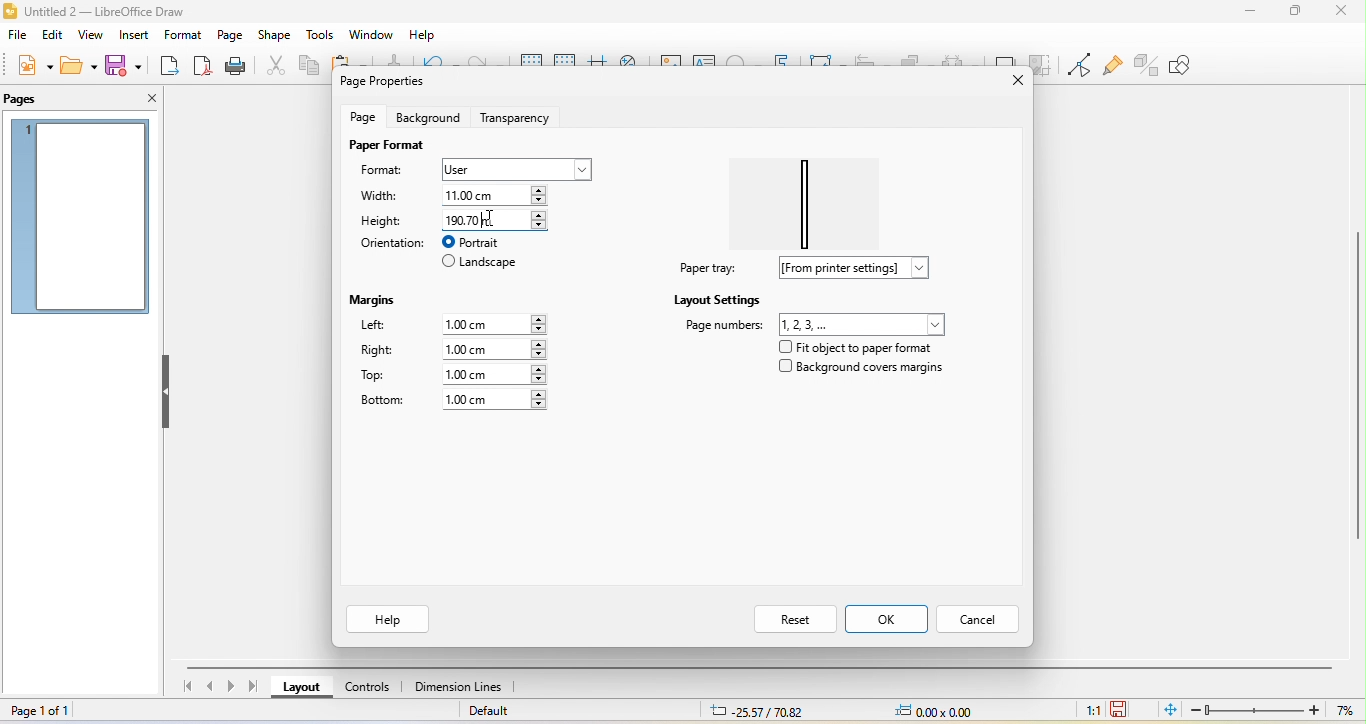 The height and width of the screenshot is (724, 1366). What do you see at coordinates (763, 665) in the screenshot?
I see `horizontal scroll bar` at bounding box center [763, 665].